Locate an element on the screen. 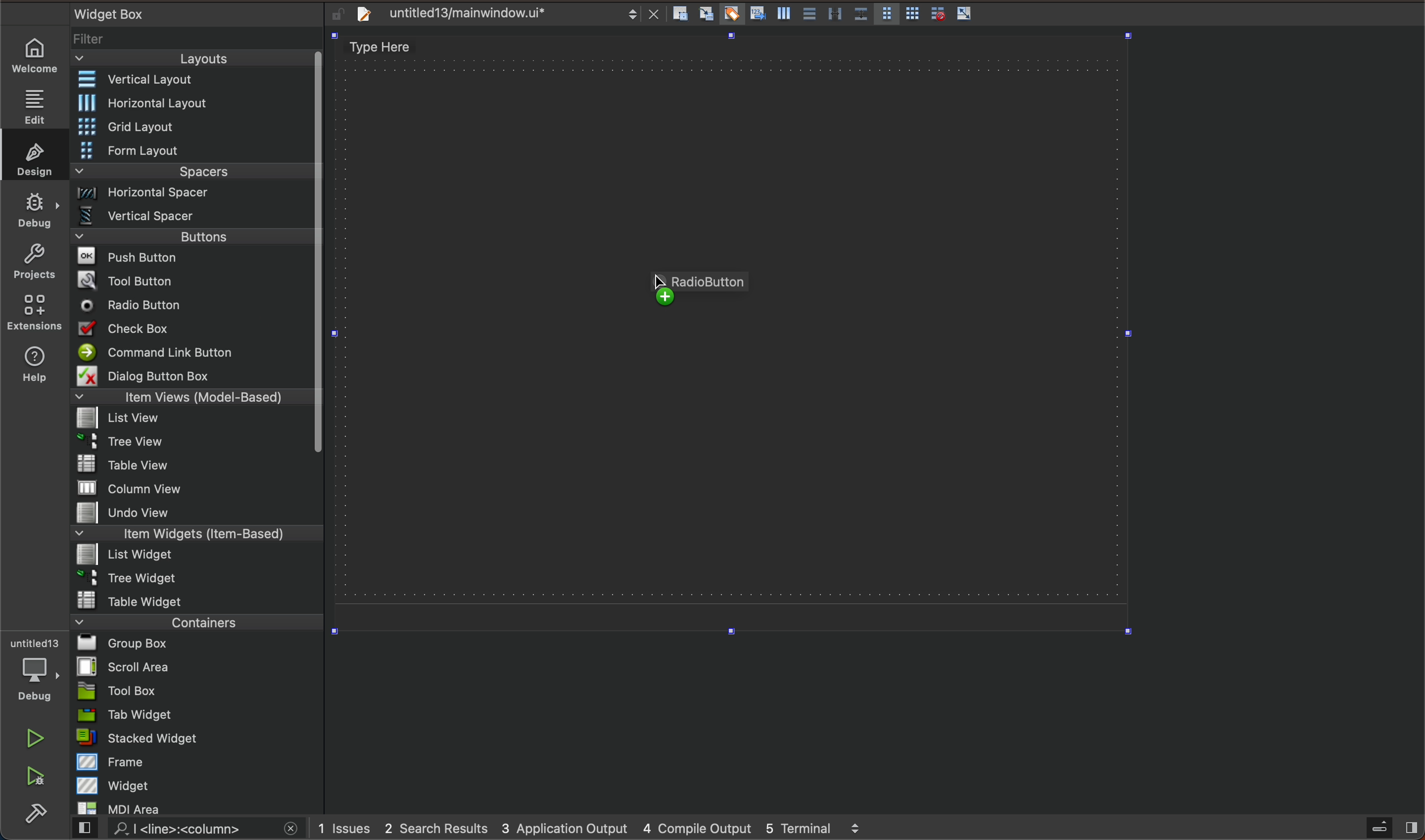 The height and width of the screenshot is (840, 1425). tool button is located at coordinates (194, 280).